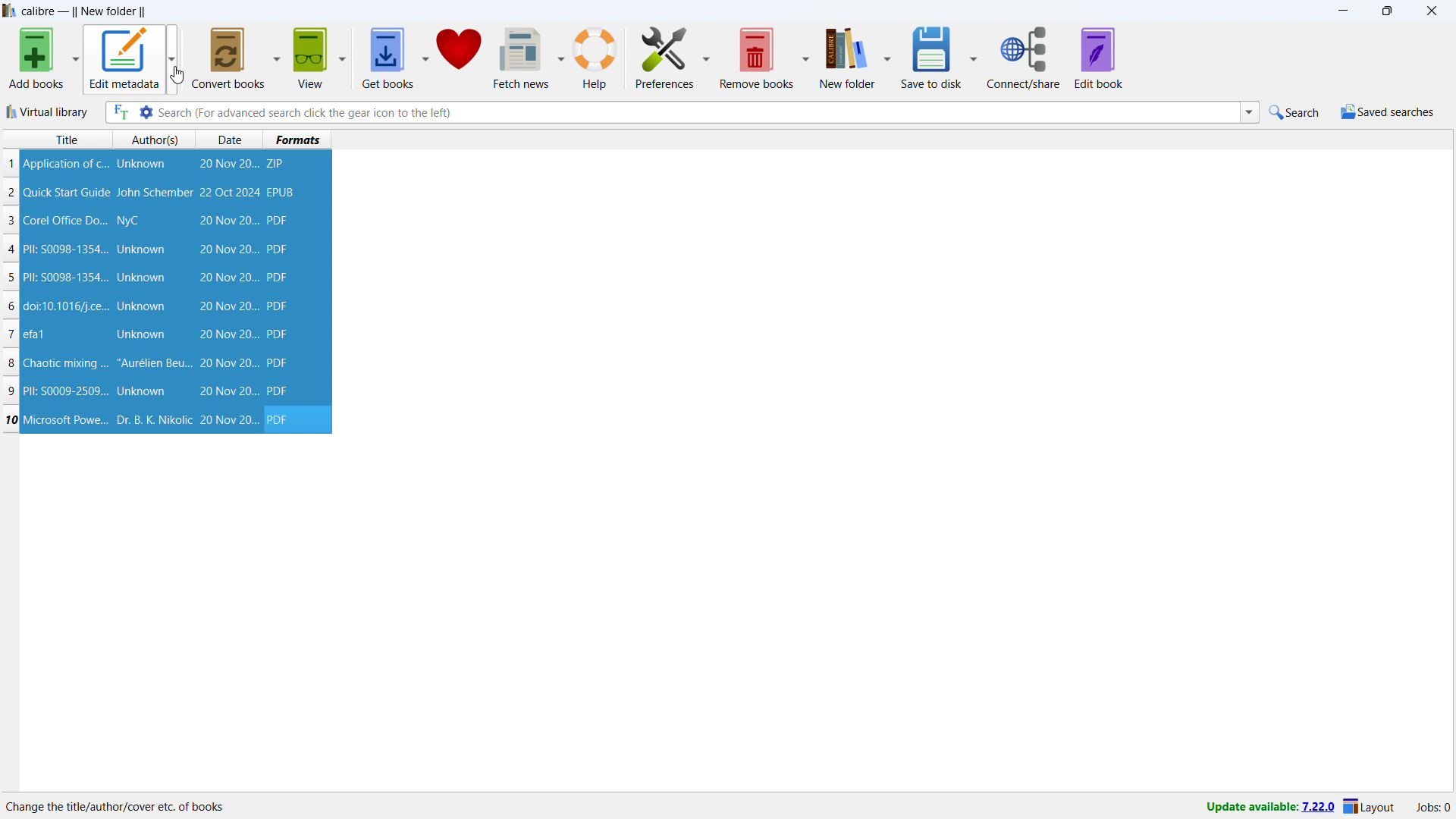 The image size is (1456, 819). What do you see at coordinates (279, 306) in the screenshot?
I see `PDF` at bounding box center [279, 306].